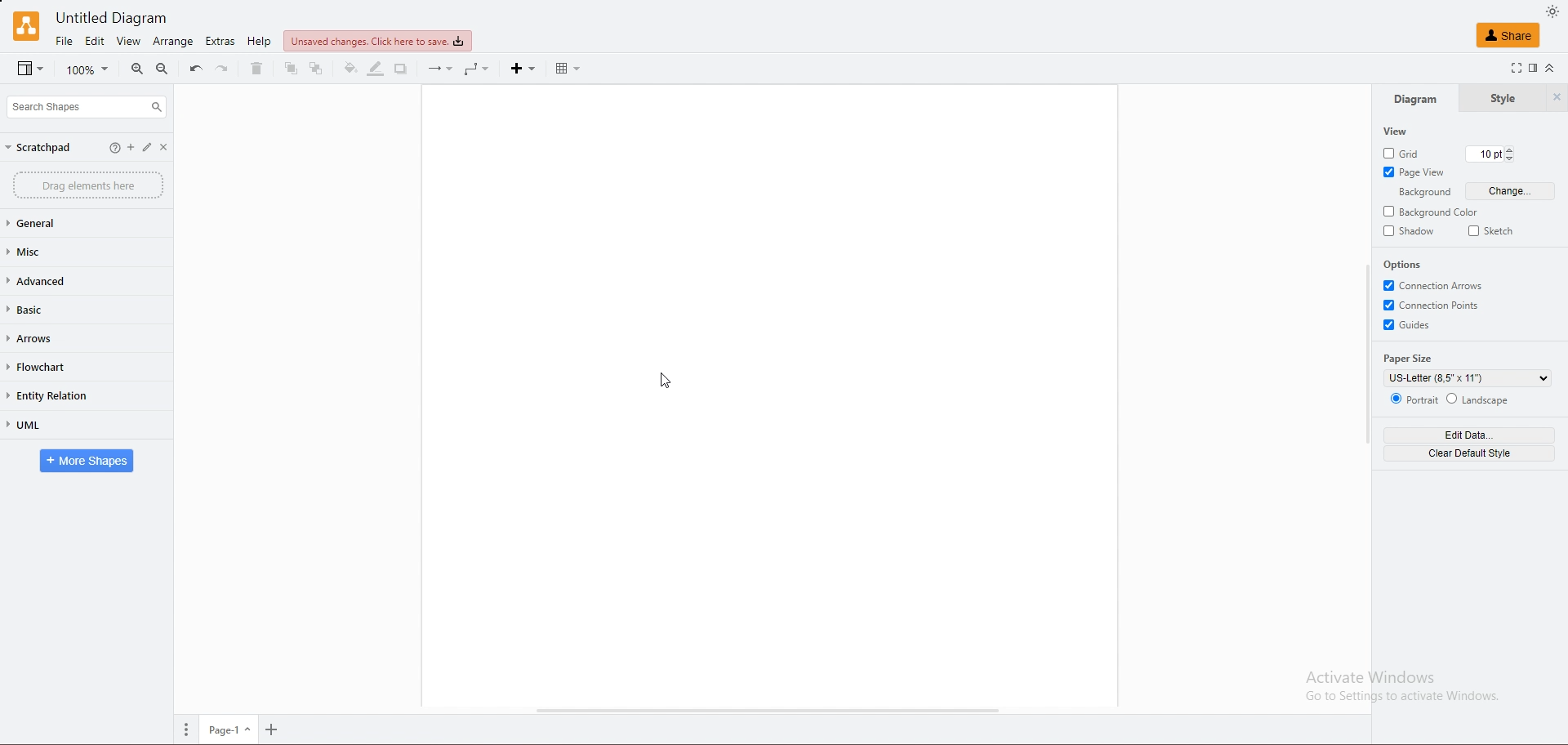 The image size is (1568, 745). I want to click on page view, so click(1416, 172).